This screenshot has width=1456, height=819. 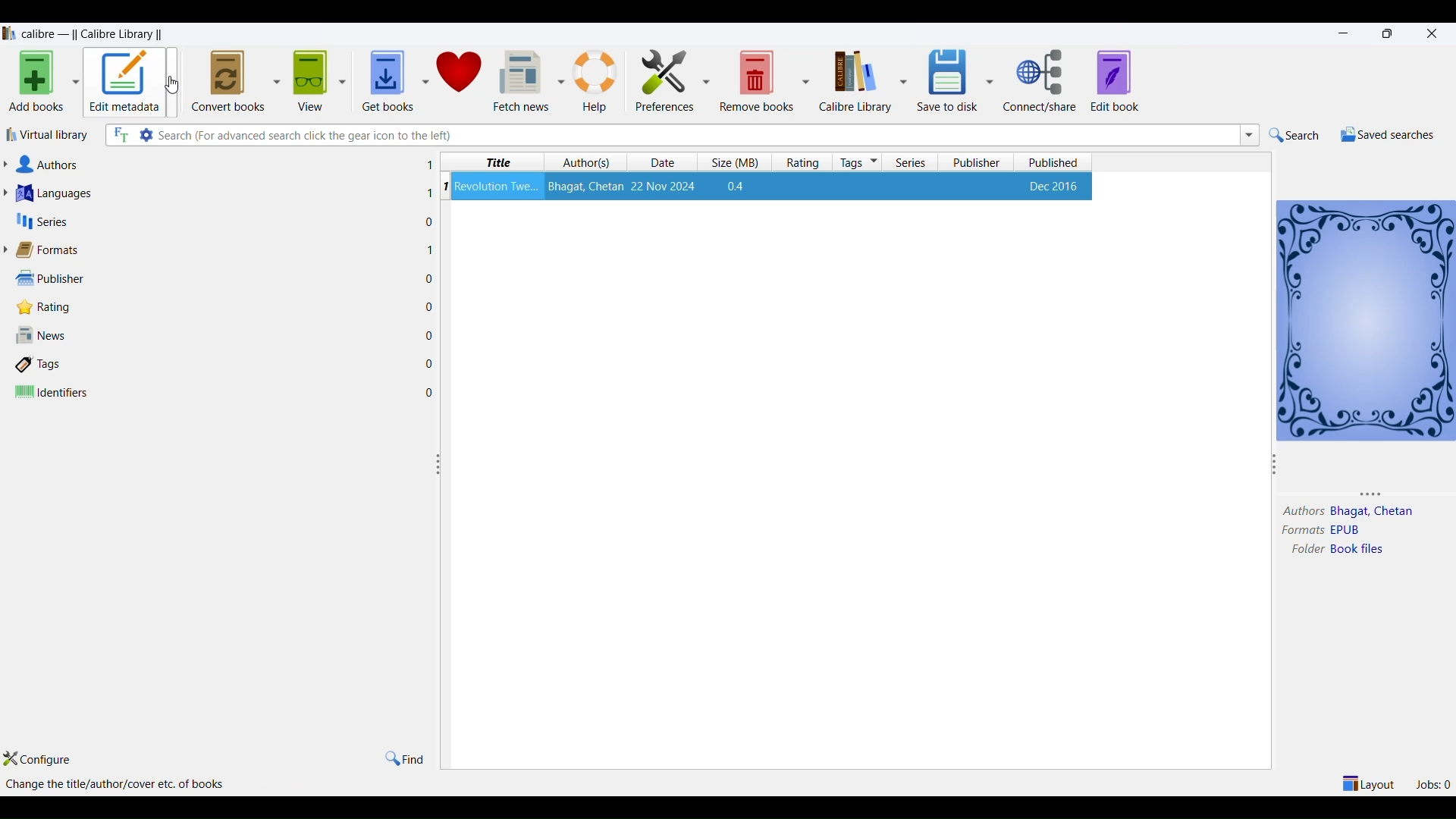 What do you see at coordinates (310, 76) in the screenshot?
I see `view` at bounding box center [310, 76].